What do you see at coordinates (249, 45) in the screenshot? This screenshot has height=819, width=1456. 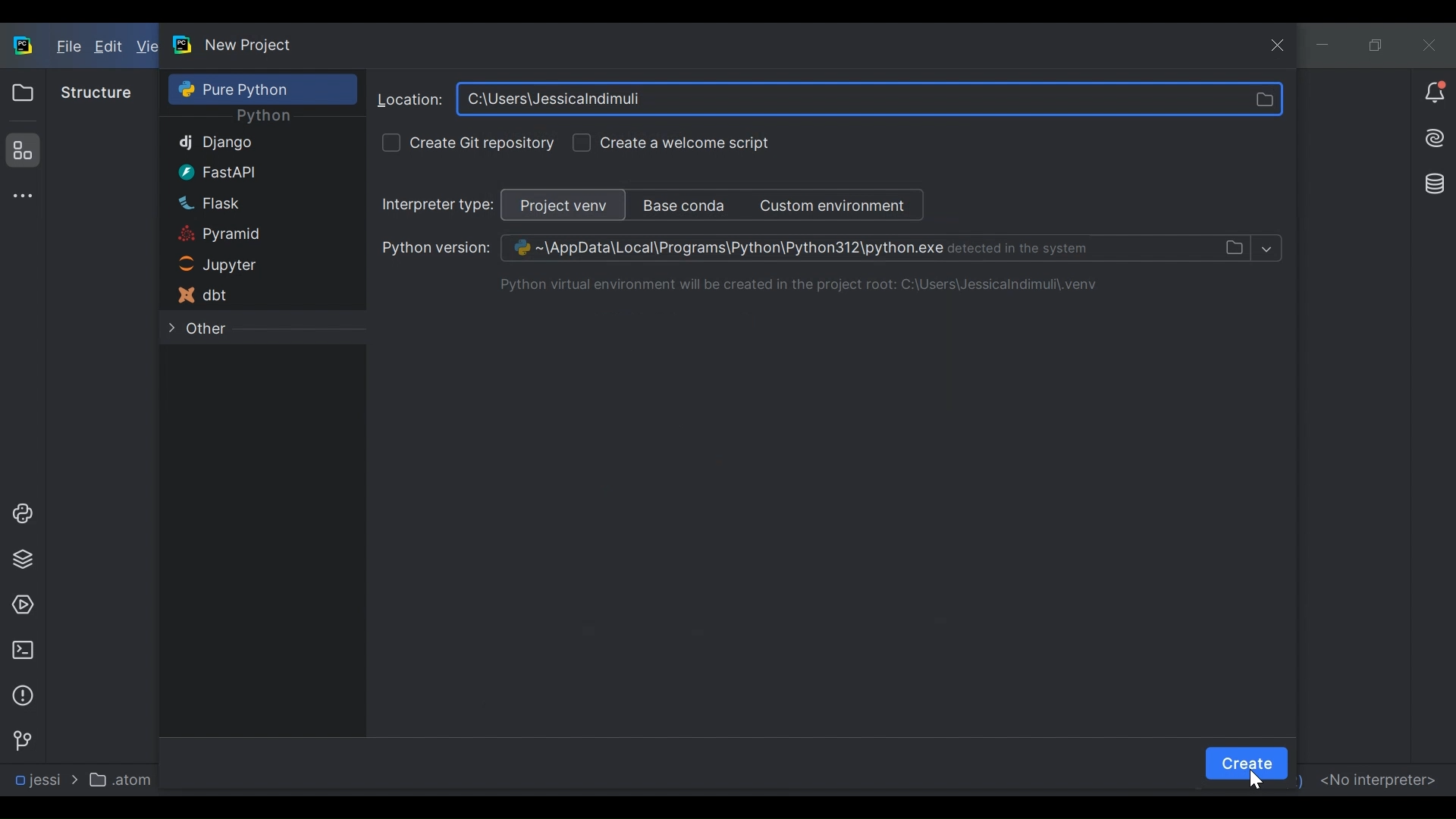 I see `New Project` at bounding box center [249, 45].